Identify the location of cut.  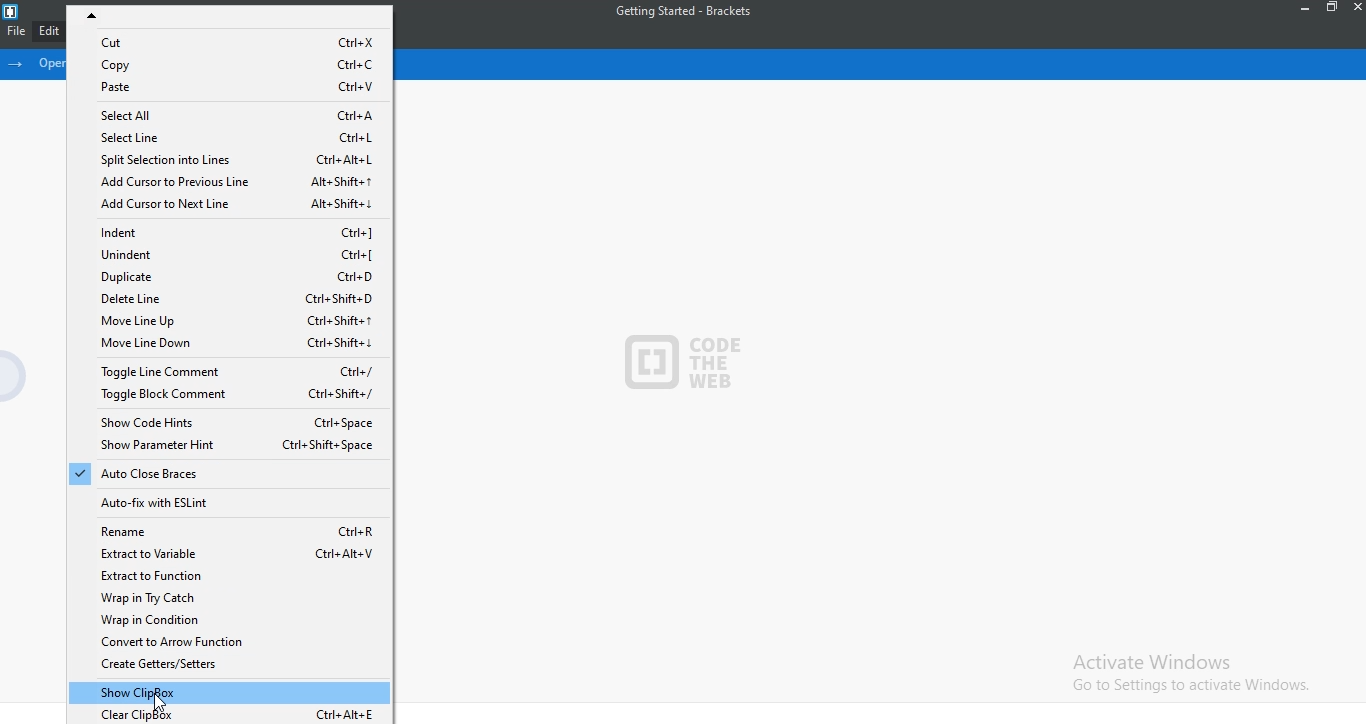
(229, 40).